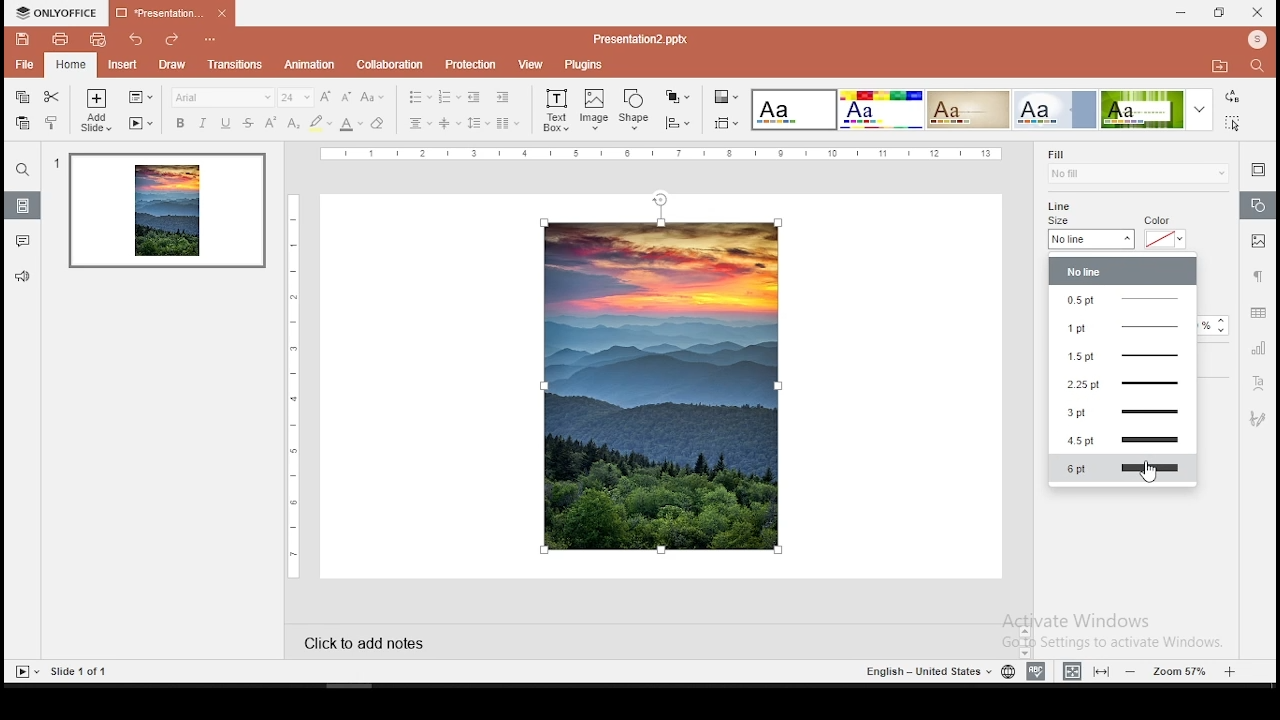 The image size is (1280, 720). I want to click on 6pt, so click(1123, 468).